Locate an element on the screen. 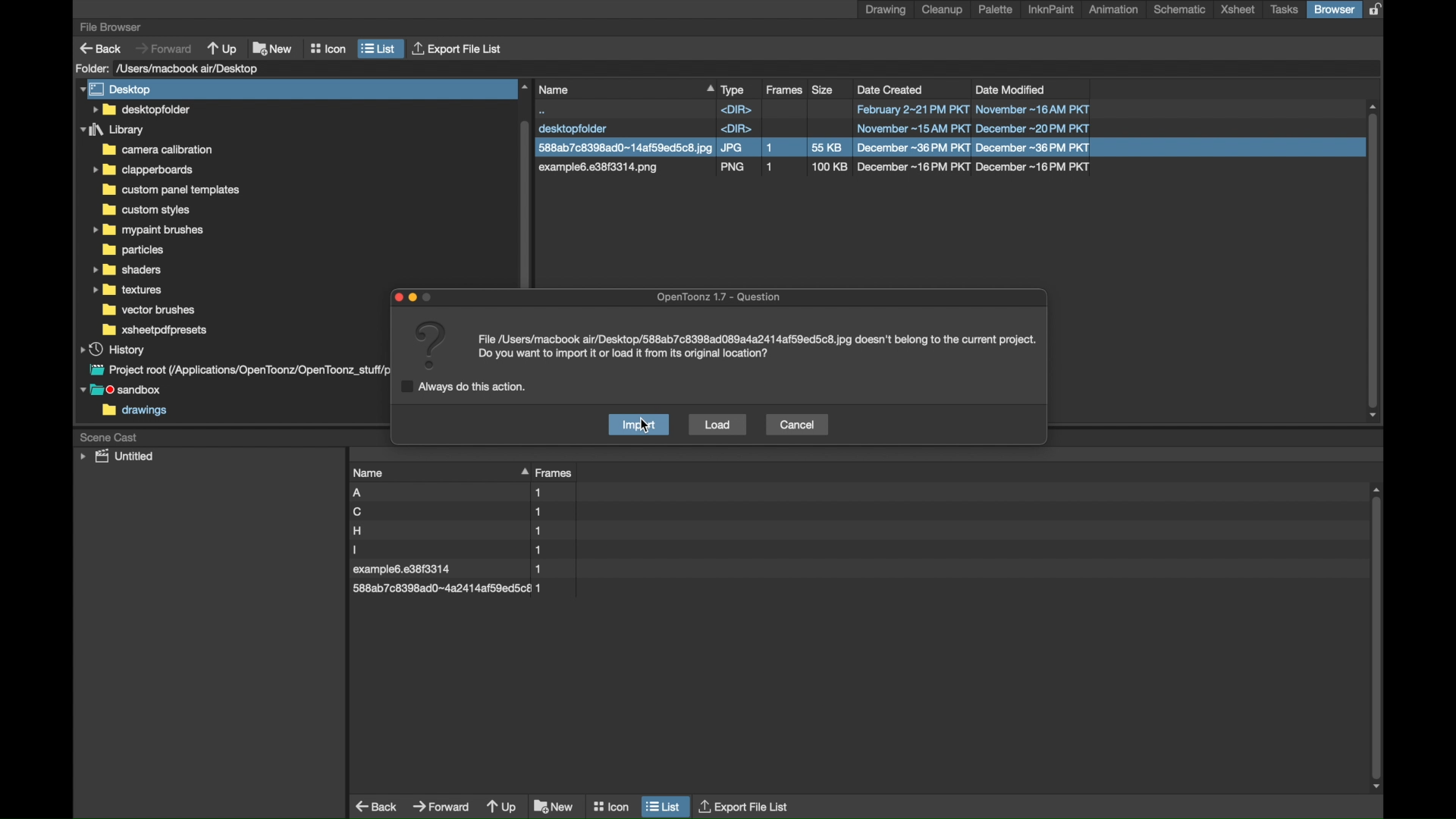  scroll box is located at coordinates (1379, 639).